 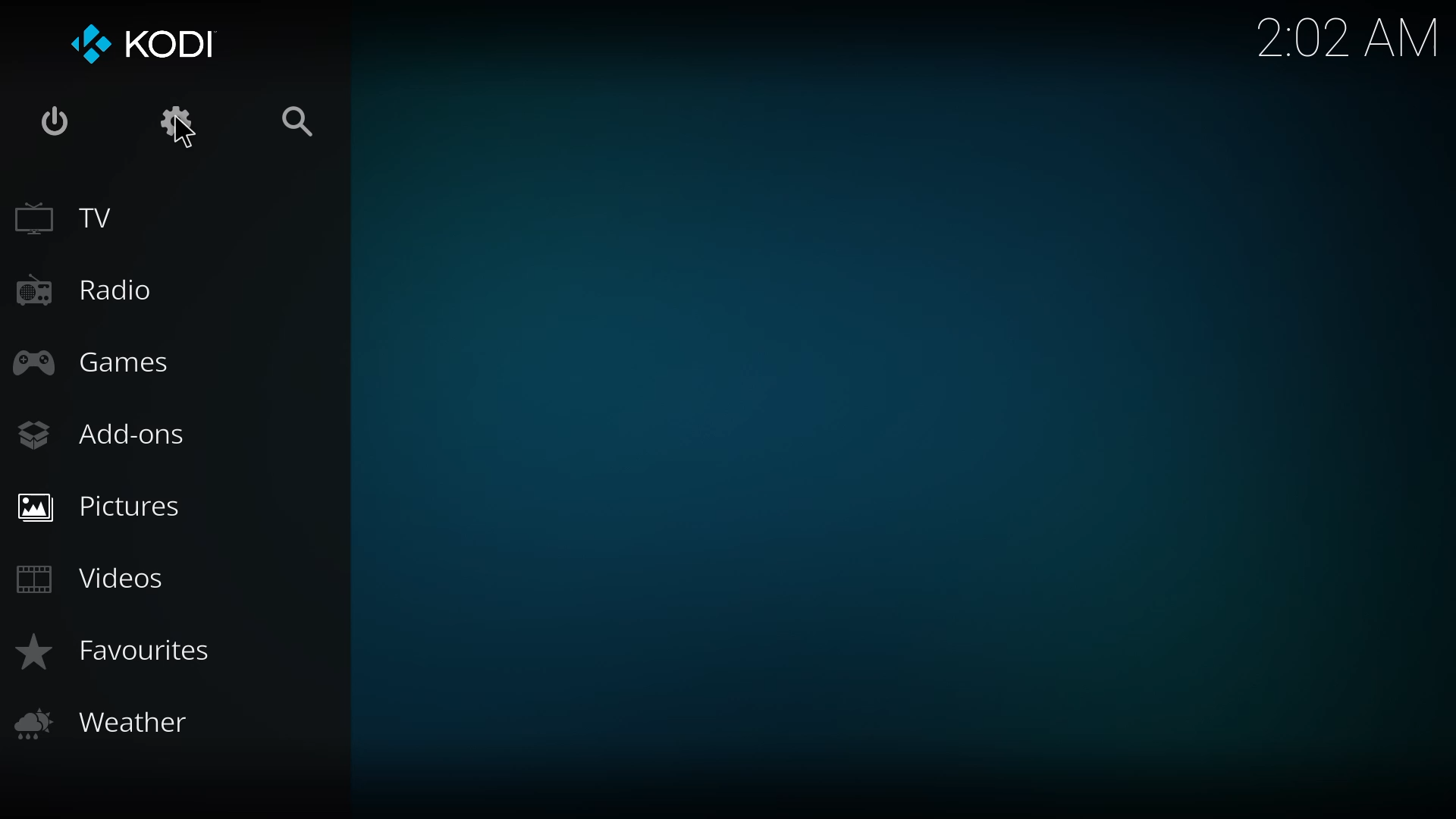 I want to click on power, so click(x=58, y=121).